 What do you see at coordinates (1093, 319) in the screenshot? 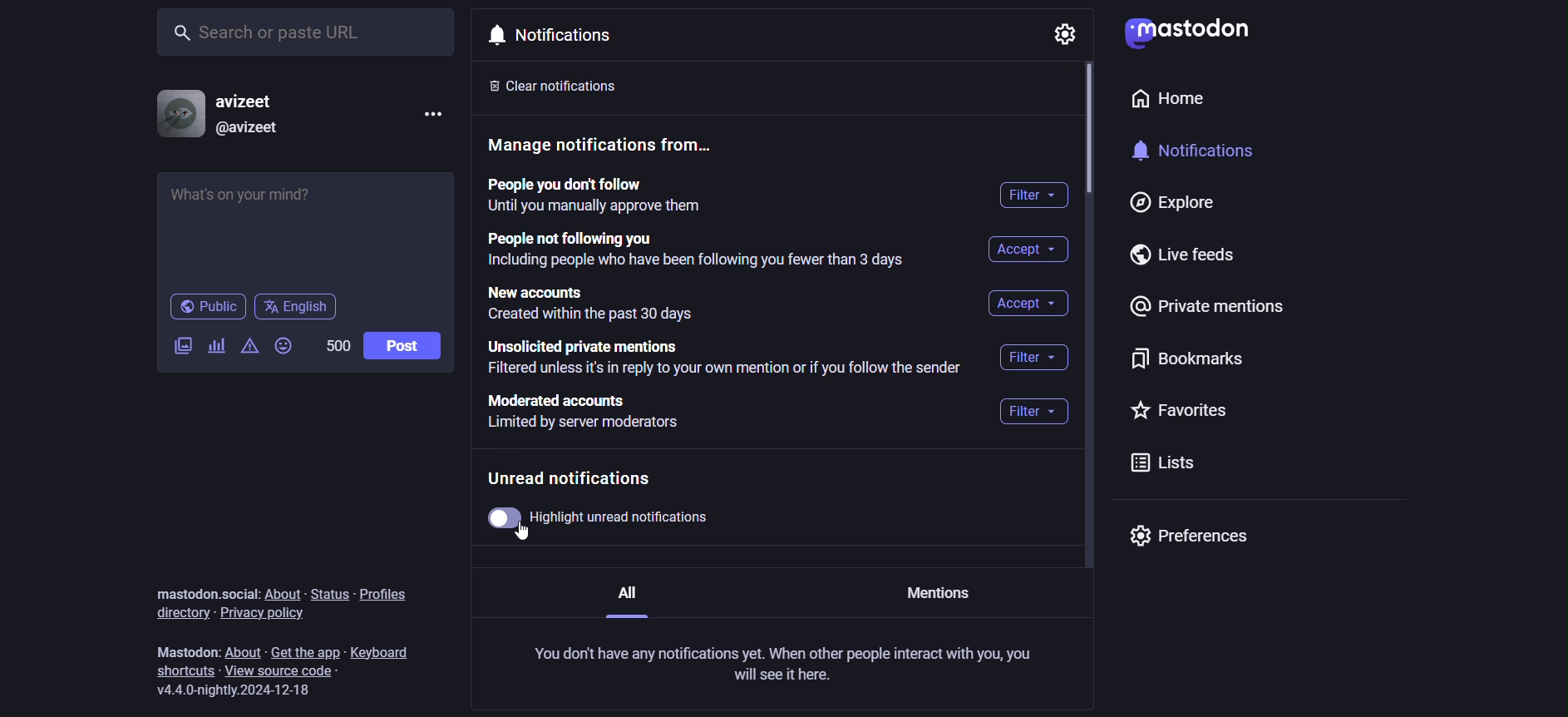
I see `vertical scroll bar` at bounding box center [1093, 319].